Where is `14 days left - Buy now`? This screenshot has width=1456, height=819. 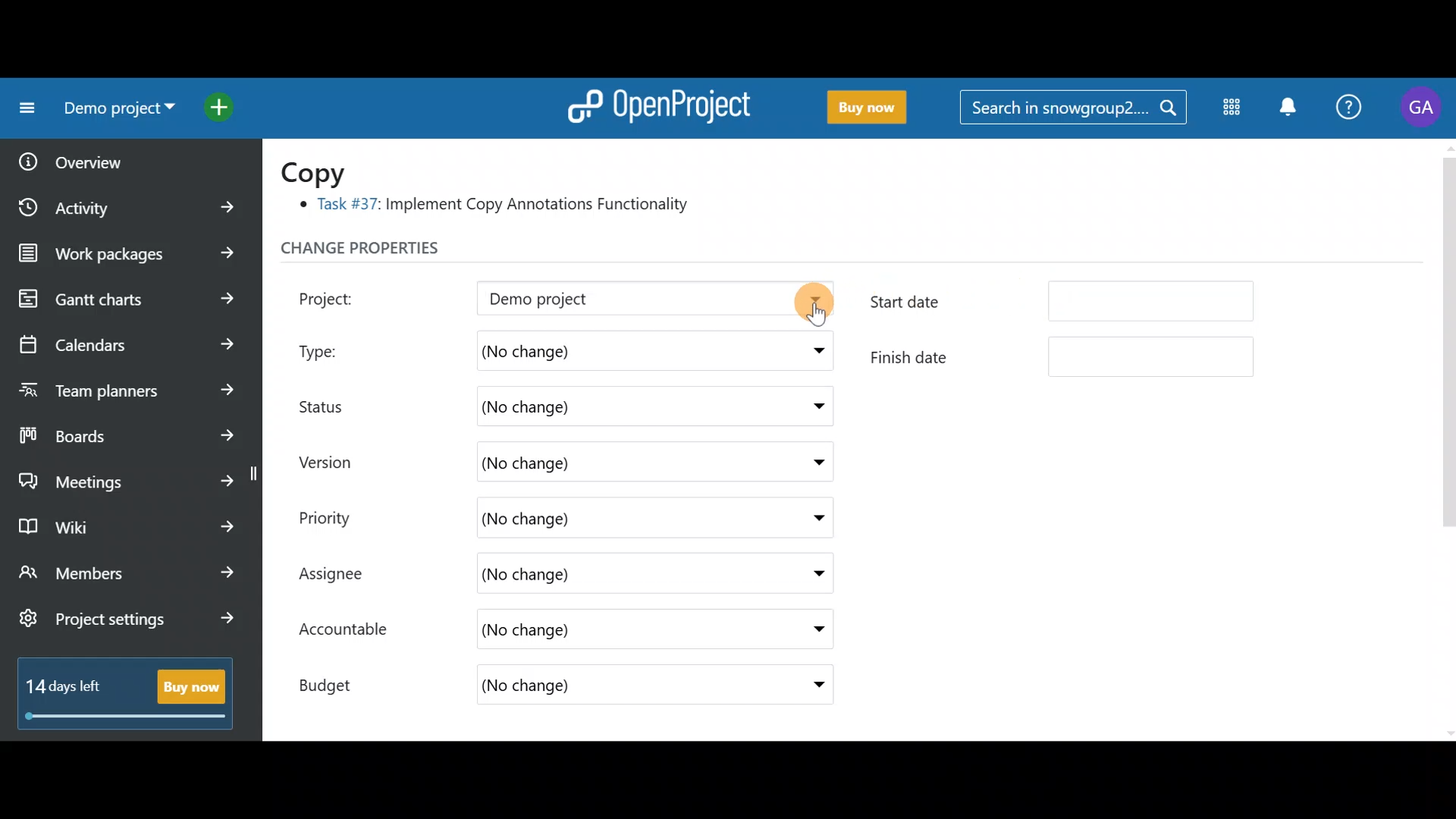 14 days left - Buy now is located at coordinates (118, 690).